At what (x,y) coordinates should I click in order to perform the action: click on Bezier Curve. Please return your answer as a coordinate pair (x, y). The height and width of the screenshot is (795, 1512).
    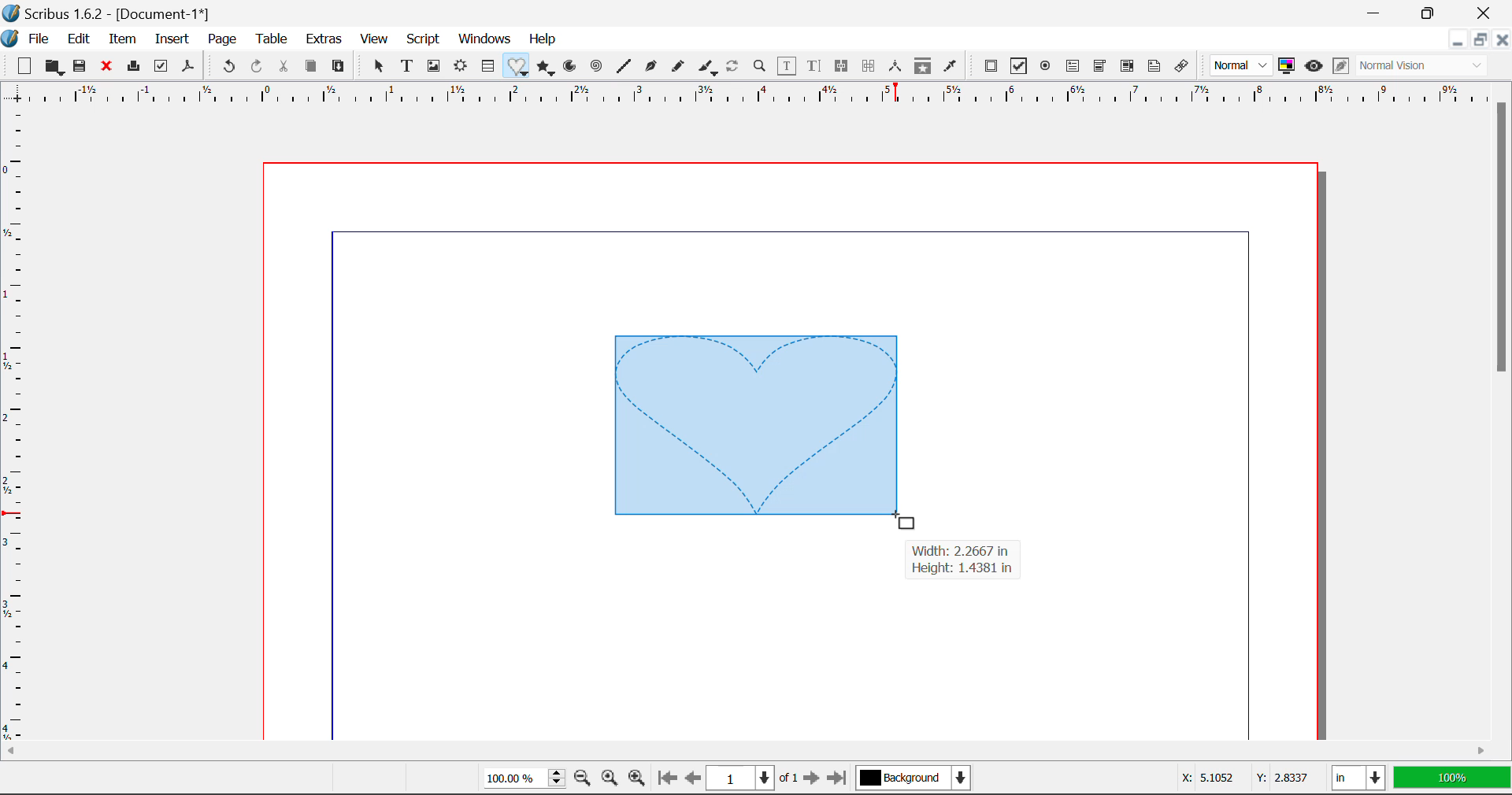
    Looking at the image, I should click on (652, 68).